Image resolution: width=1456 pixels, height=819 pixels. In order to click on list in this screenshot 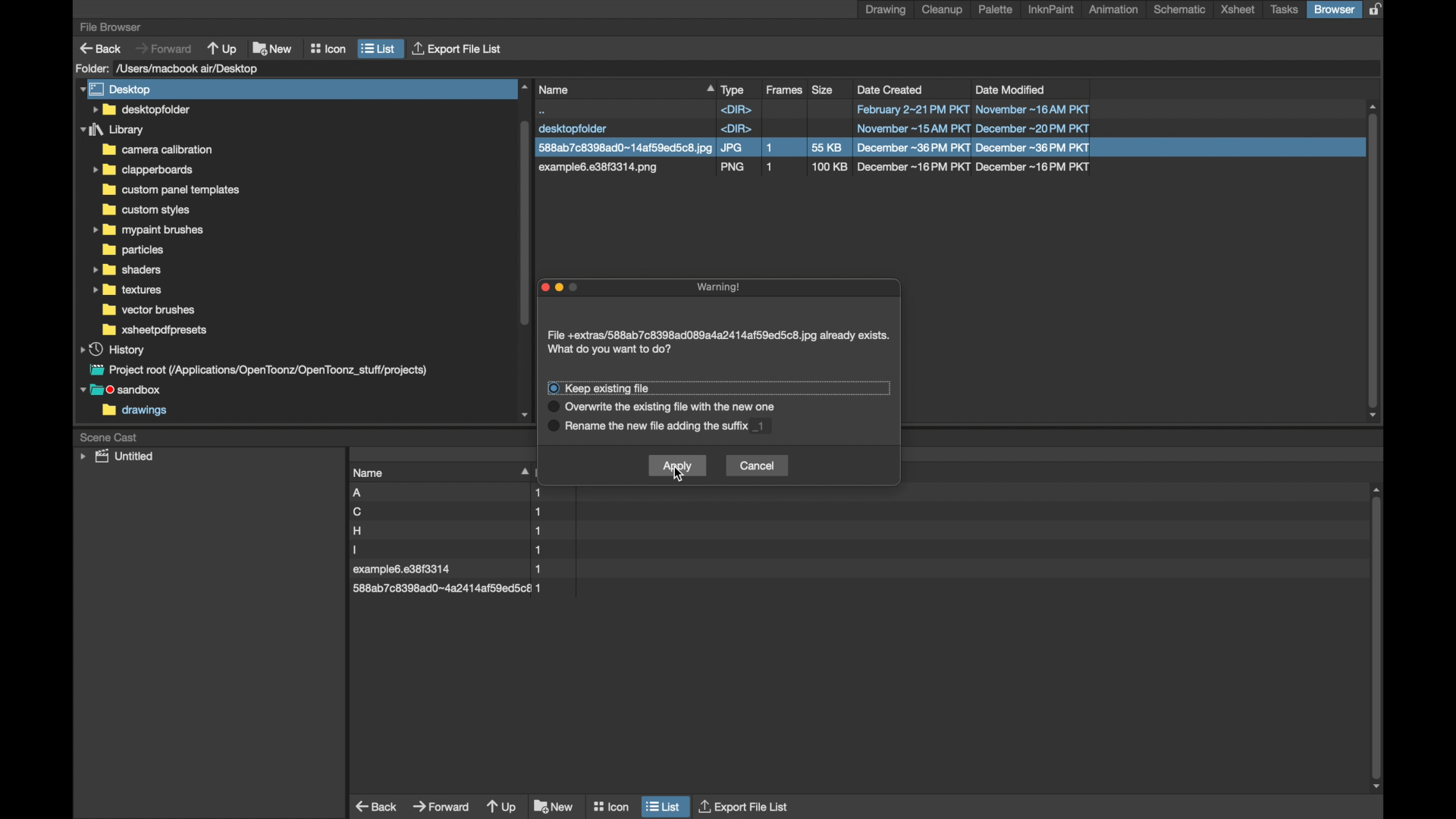, I will do `click(379, 49)`.